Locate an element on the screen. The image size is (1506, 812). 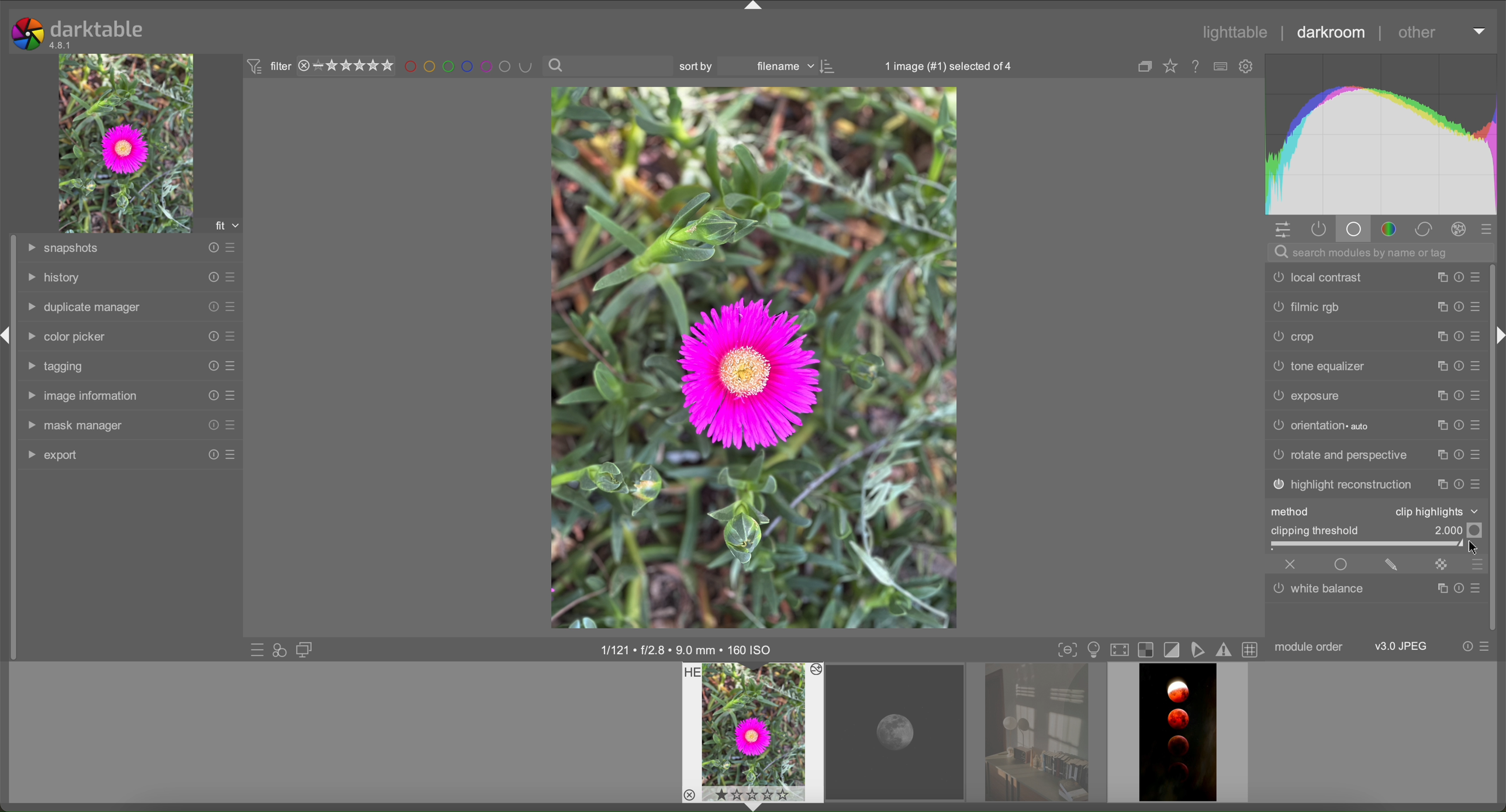
filter is located at coordinates (266, 67).